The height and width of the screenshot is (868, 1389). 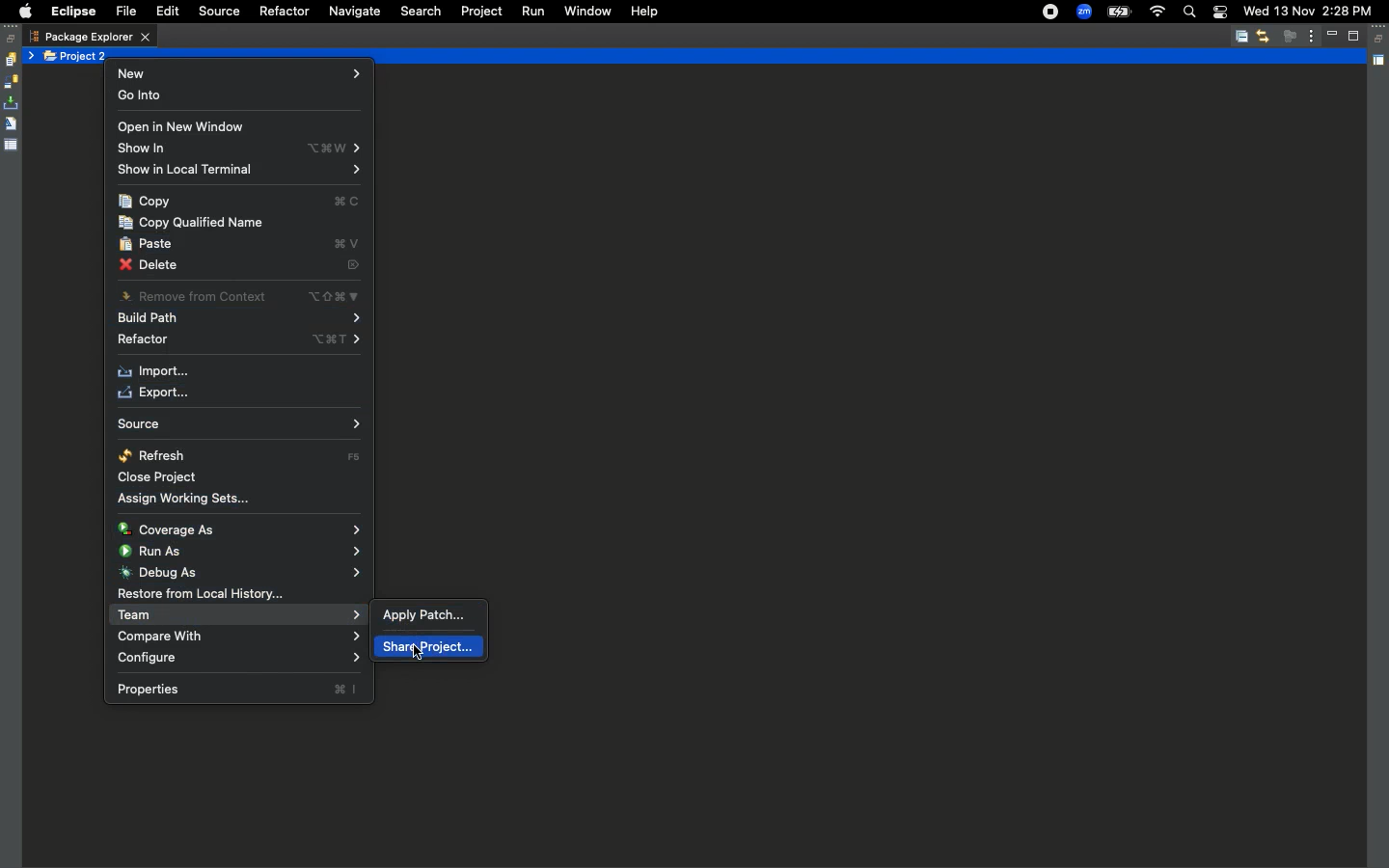 I want to click on Configure, so click(x=240, y=659).